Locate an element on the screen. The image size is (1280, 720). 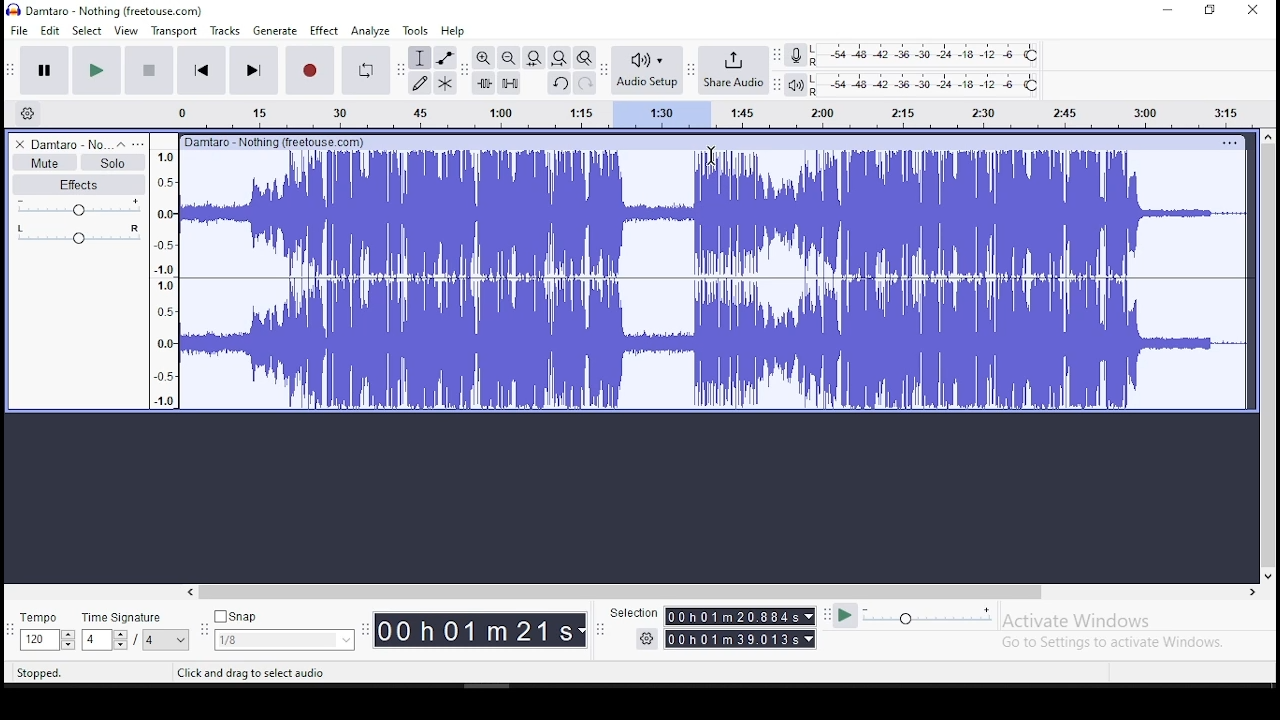
fit project to width is located at coordinates (559, 57).